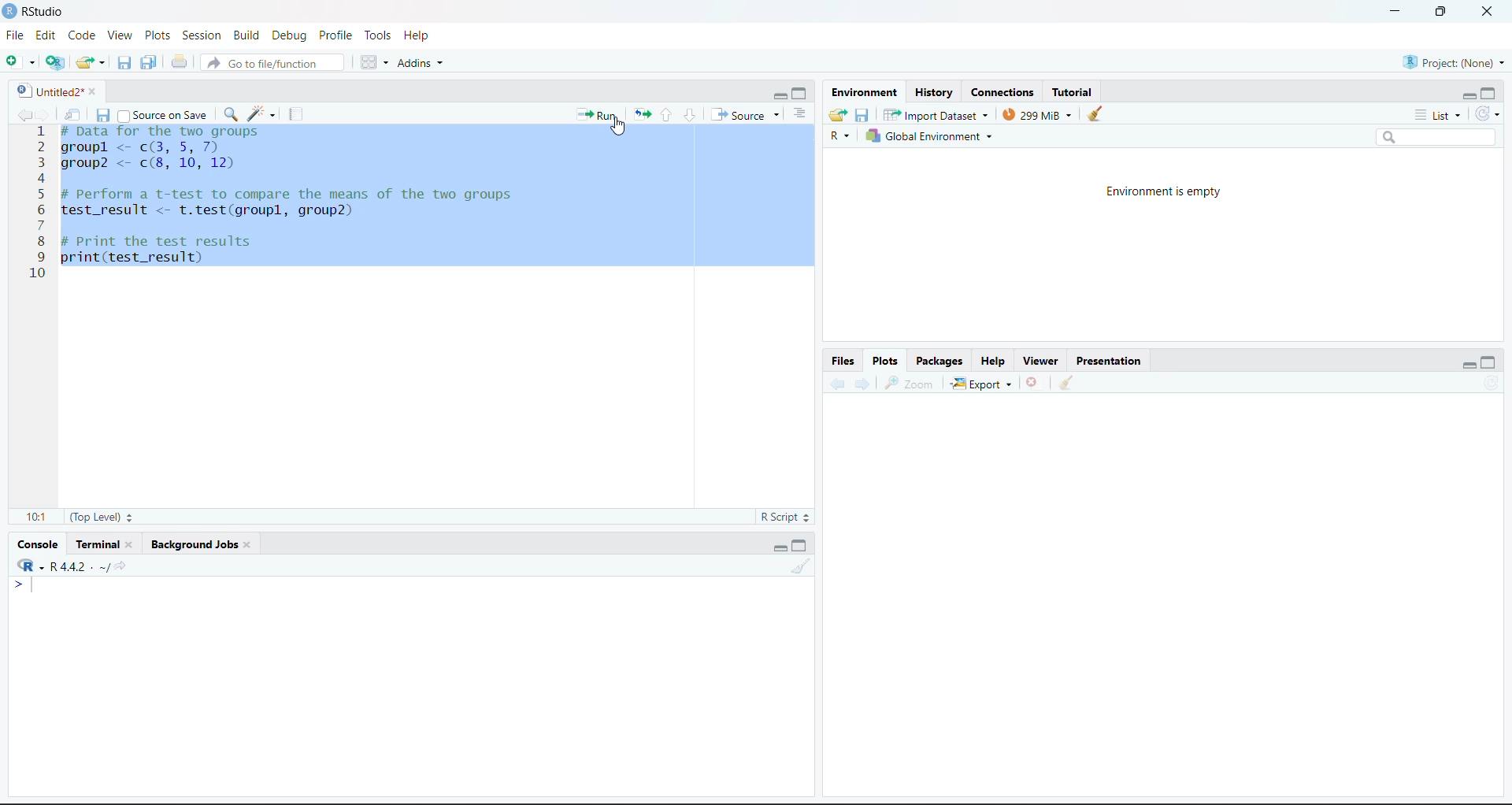  What do you see at coordinates (17, 35) in the screenshot?
I see `File` at bounding box center [17, 35].